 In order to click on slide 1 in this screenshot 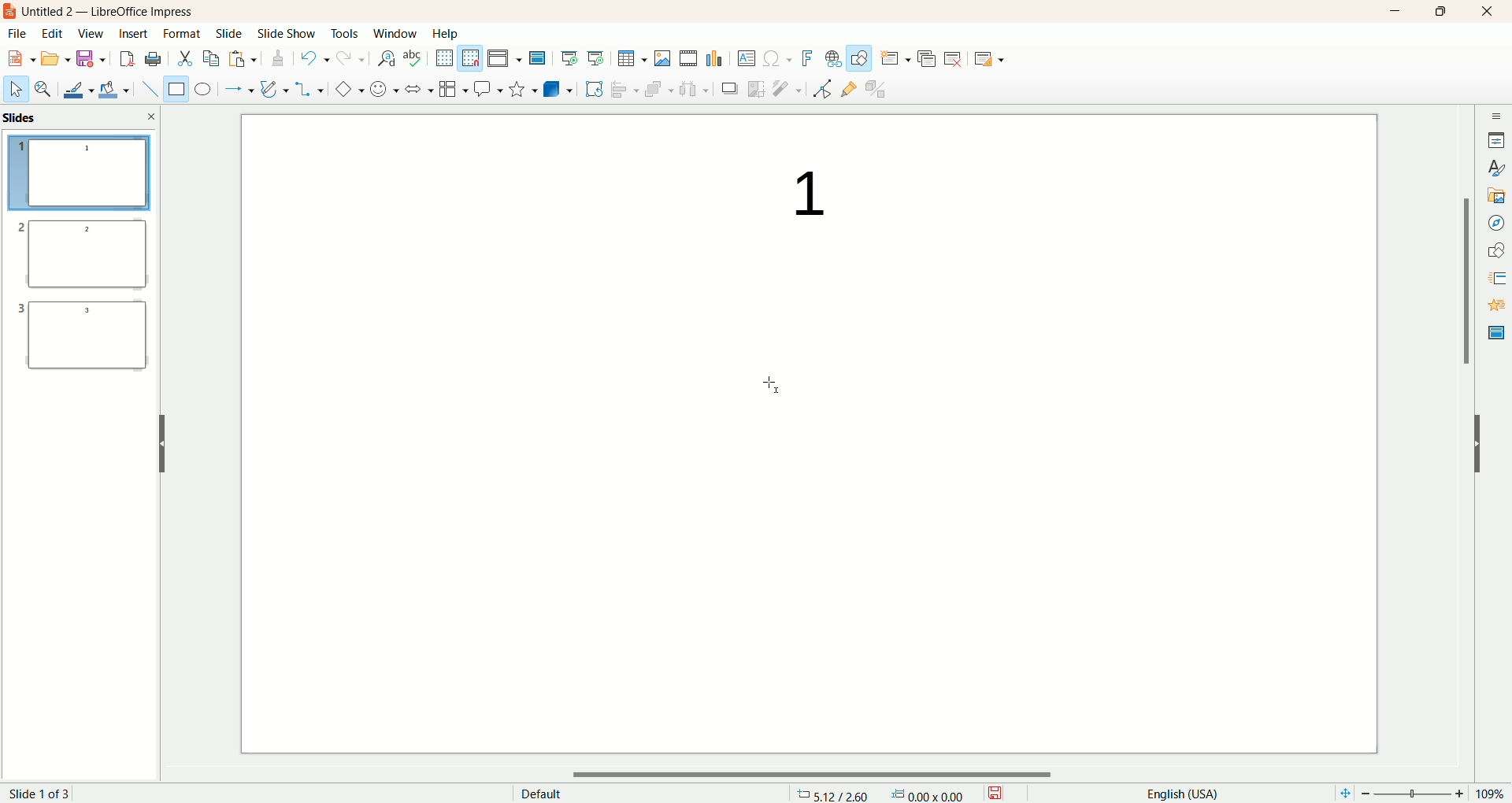, I will do `click(80, 175)`.